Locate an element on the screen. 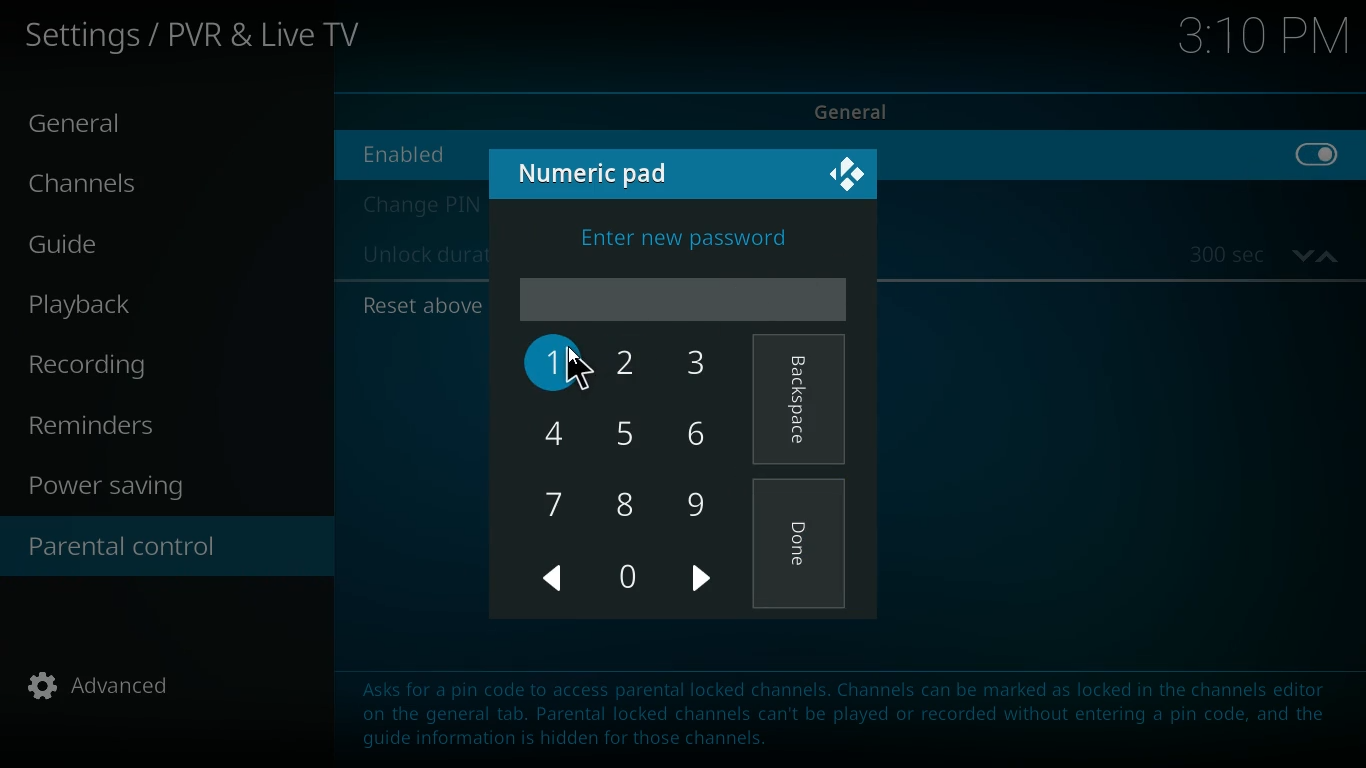 The image size is (1366, 768). done is located at coordinates (801, 550).